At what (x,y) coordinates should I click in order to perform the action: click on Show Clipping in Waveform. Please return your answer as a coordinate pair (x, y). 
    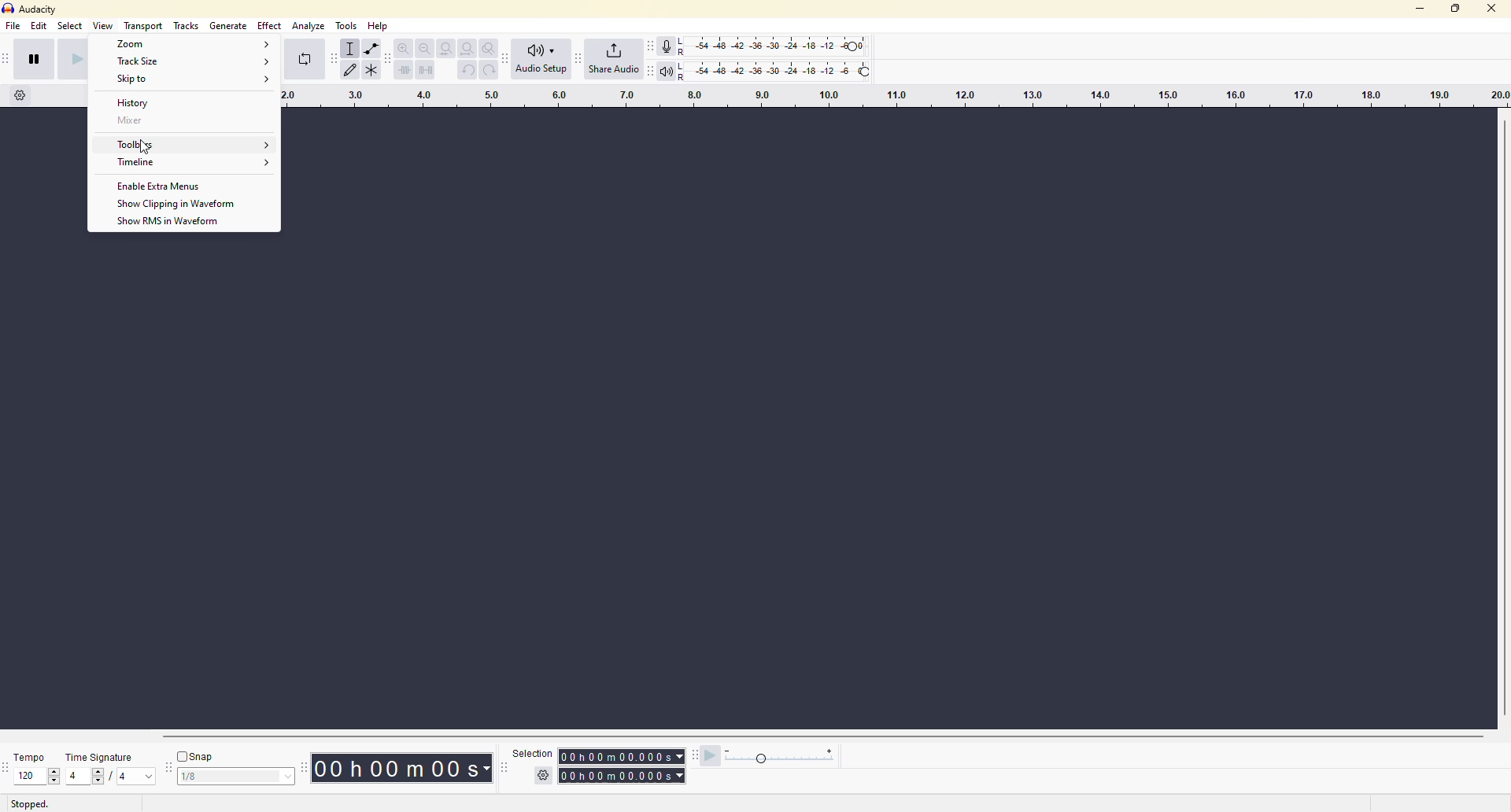
    Looking at the image, I should click on (175, 205).